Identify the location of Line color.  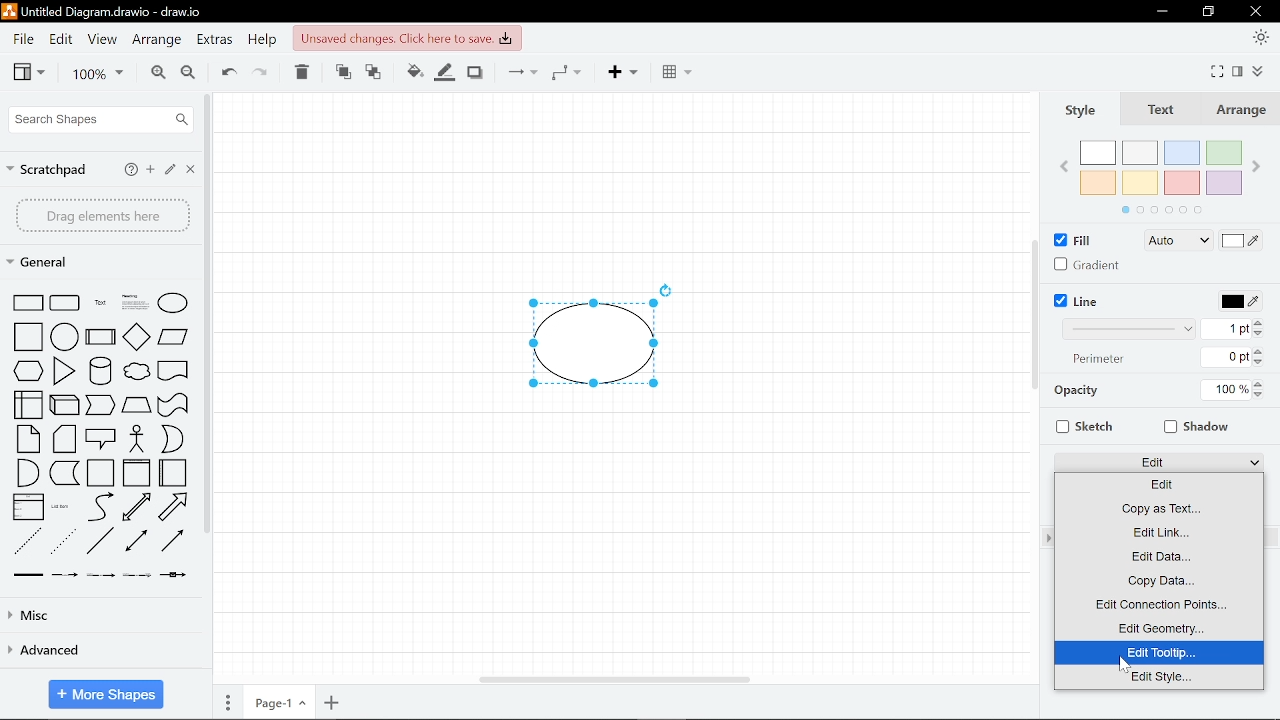
(1234, 300).